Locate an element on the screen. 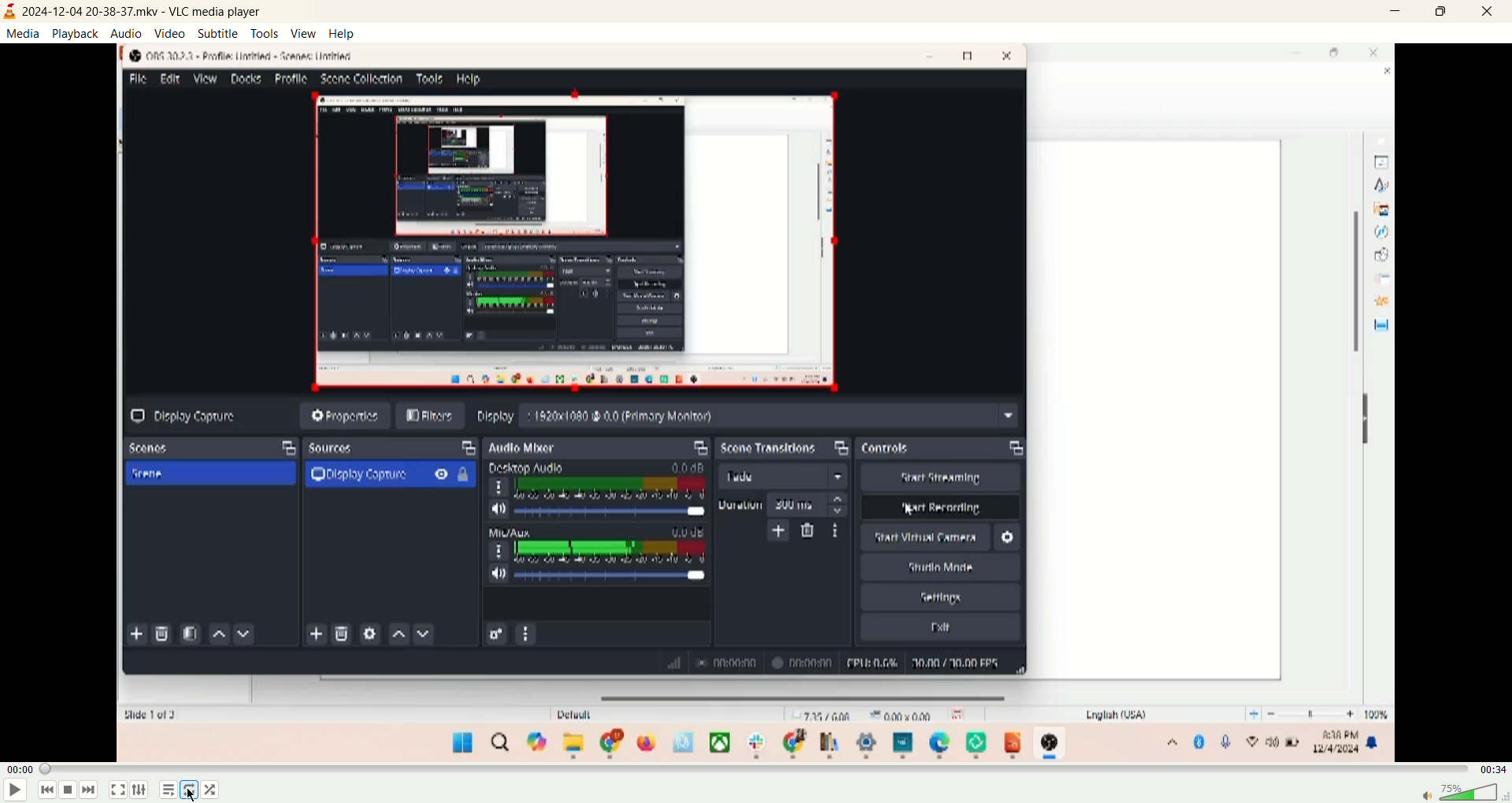 Image resolution: width=1512 pixels, height=803 pixels. tools is located at coordinates (264, 32).